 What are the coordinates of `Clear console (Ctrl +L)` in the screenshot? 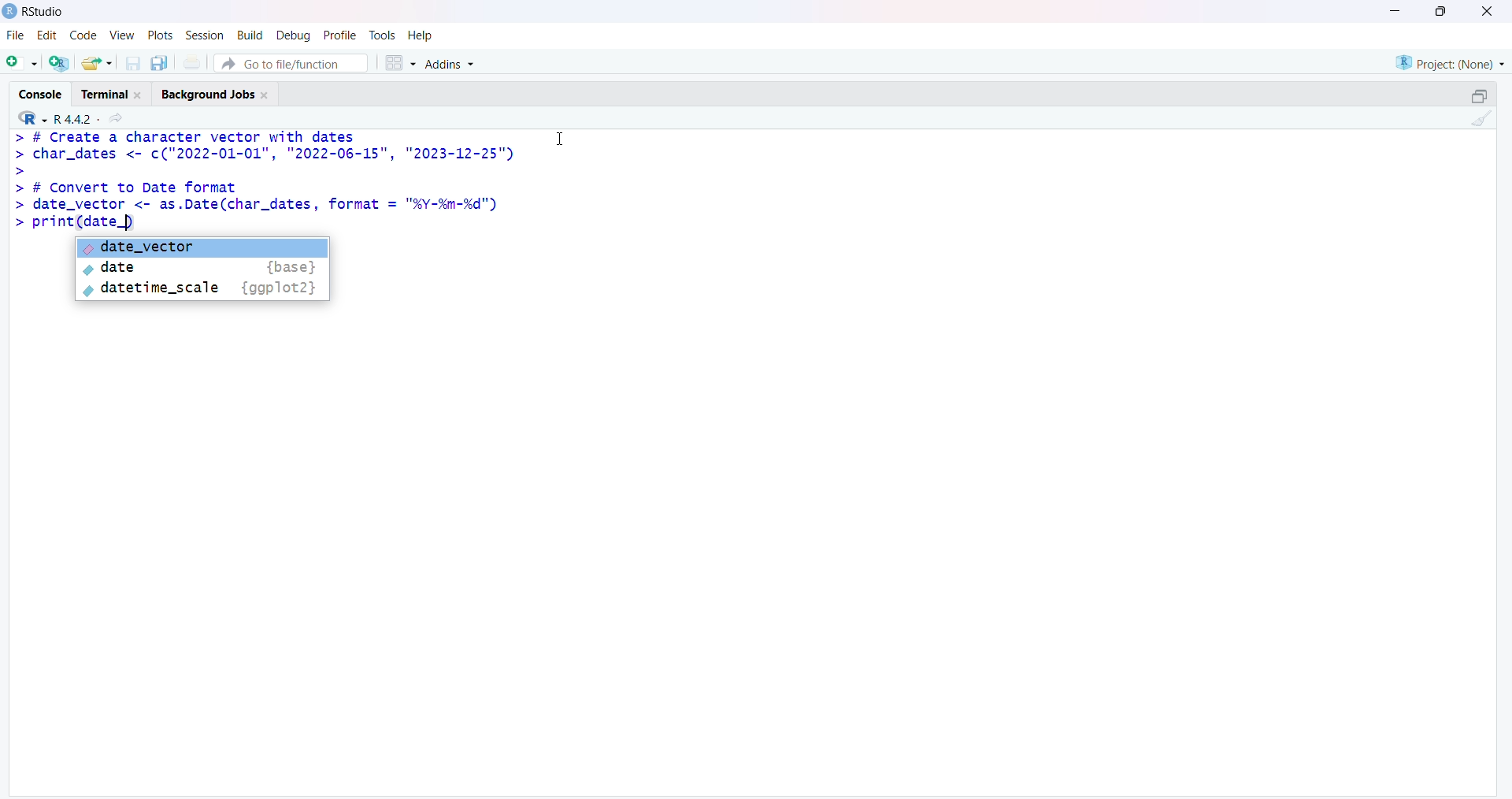 It's located at (1478, 122).